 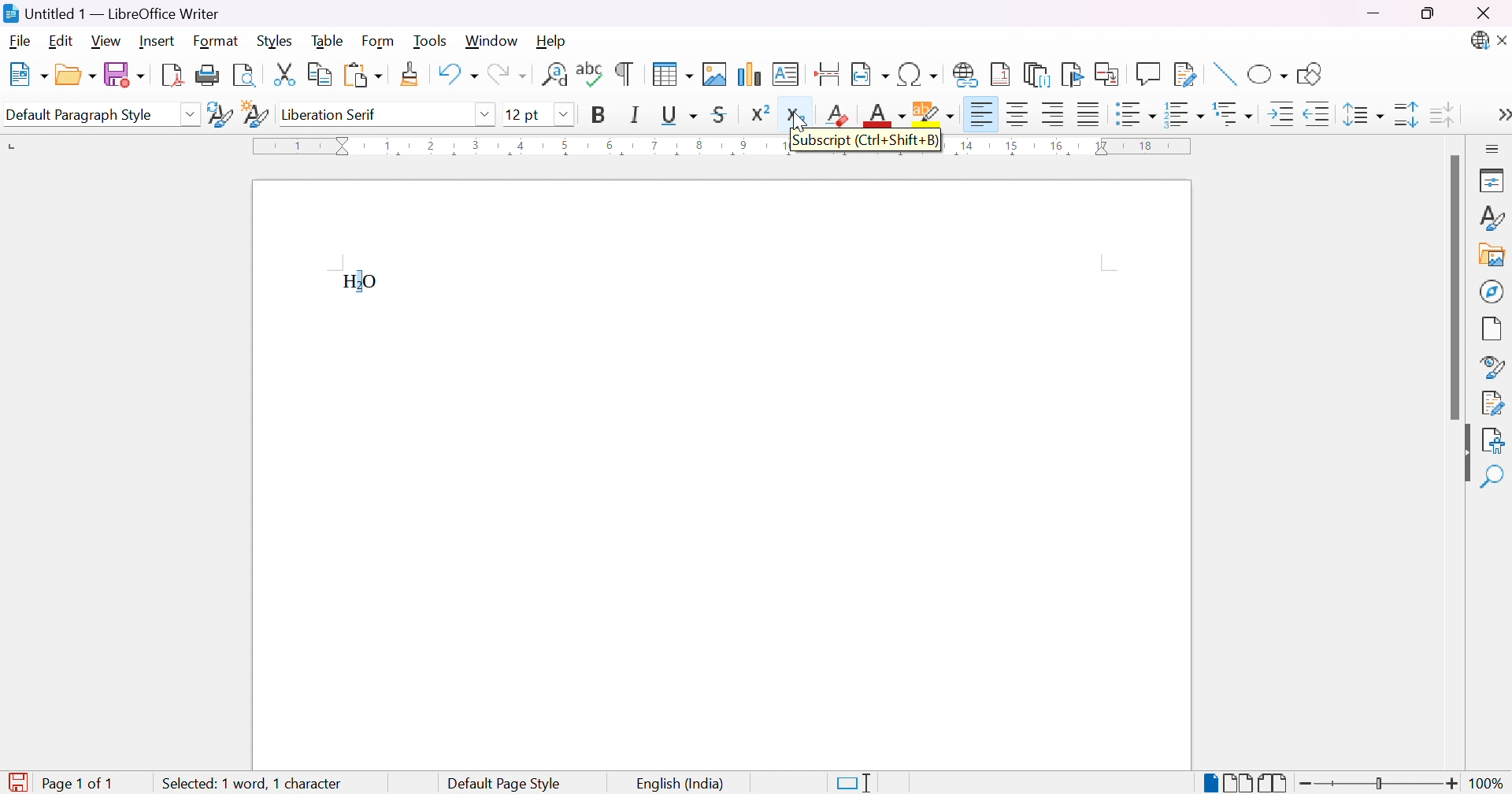 I want to click on 100%, so click(x=1488, y=784).